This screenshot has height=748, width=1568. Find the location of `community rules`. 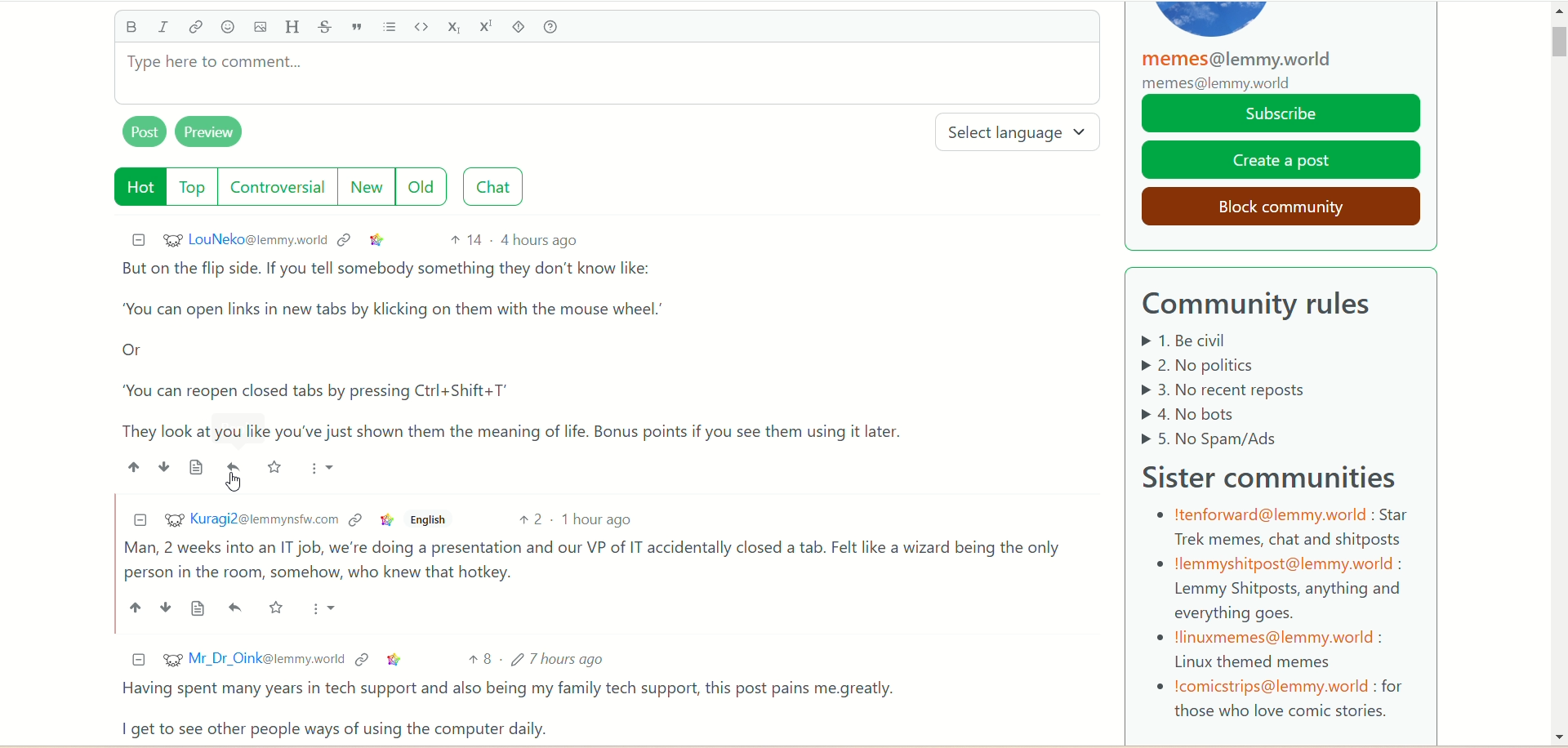

community rules is located at coordinates (1268, 305).